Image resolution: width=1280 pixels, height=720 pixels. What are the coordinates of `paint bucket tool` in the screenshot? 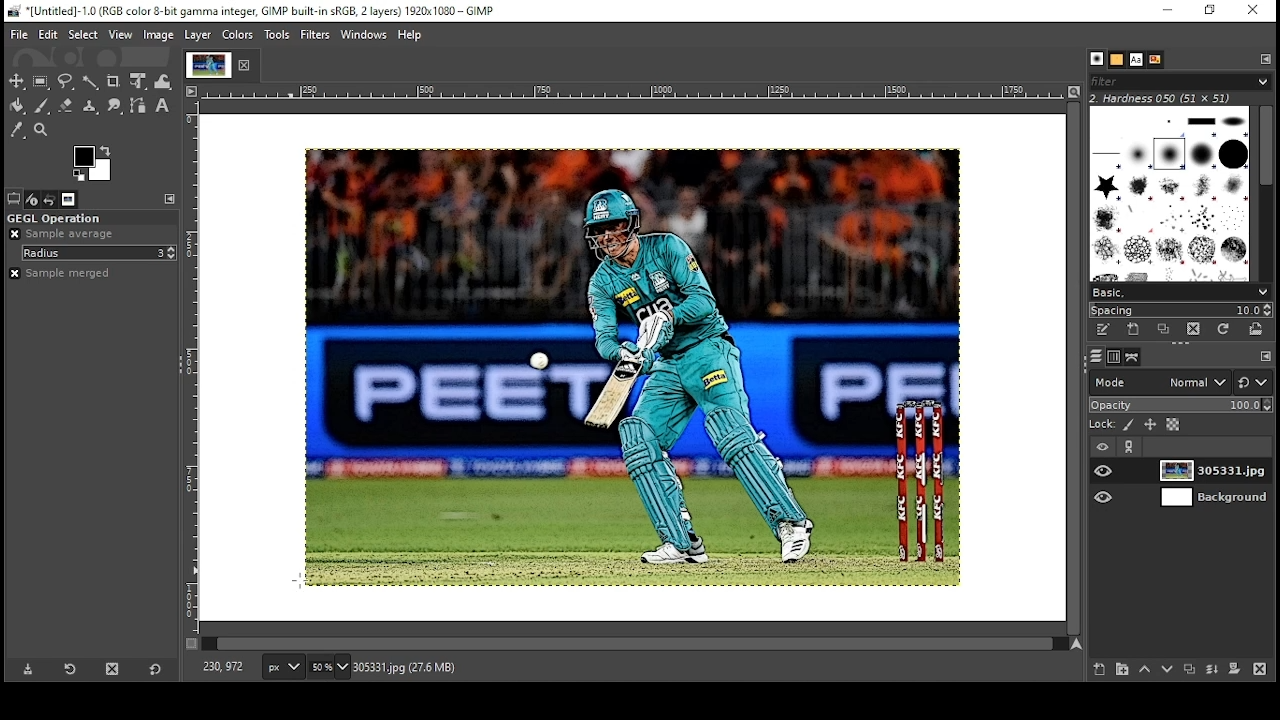 It's located at (18, 105).